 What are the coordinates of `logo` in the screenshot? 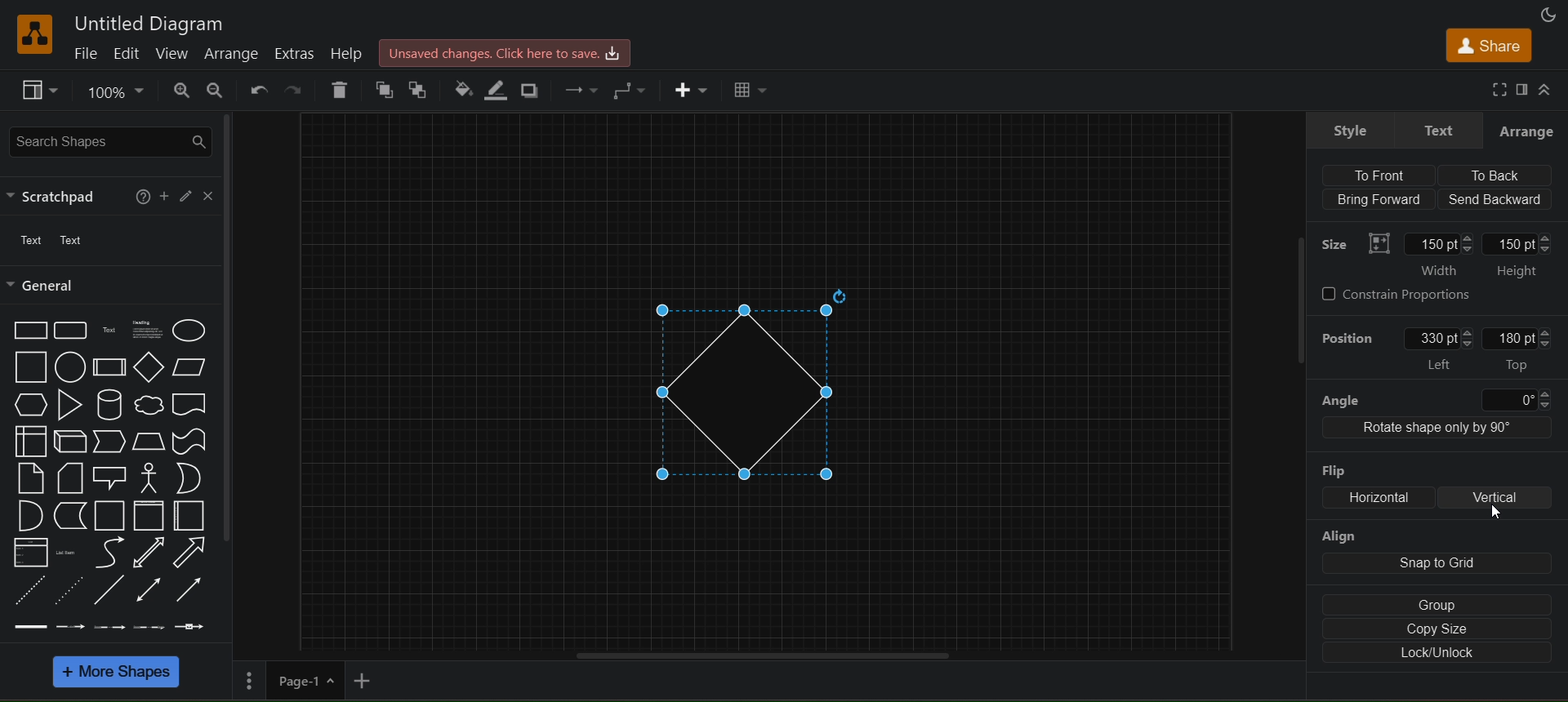 It's located at (34, 33).